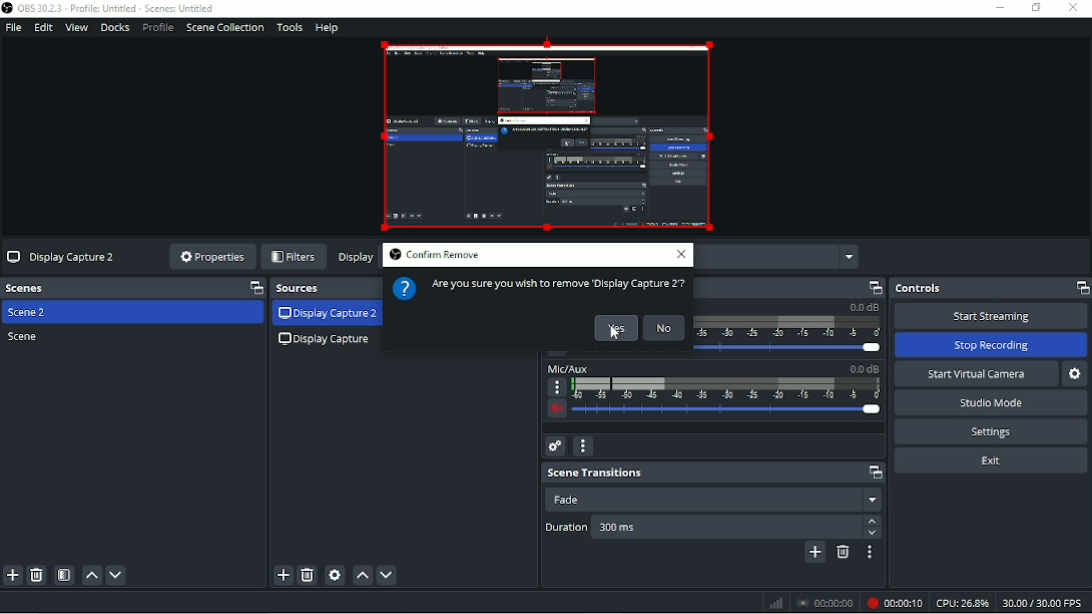 The image size is (1092, 614). What do you see at coordinates (355, 259) in the screenshot?
I see `Display` at bounding box center [355, 259].